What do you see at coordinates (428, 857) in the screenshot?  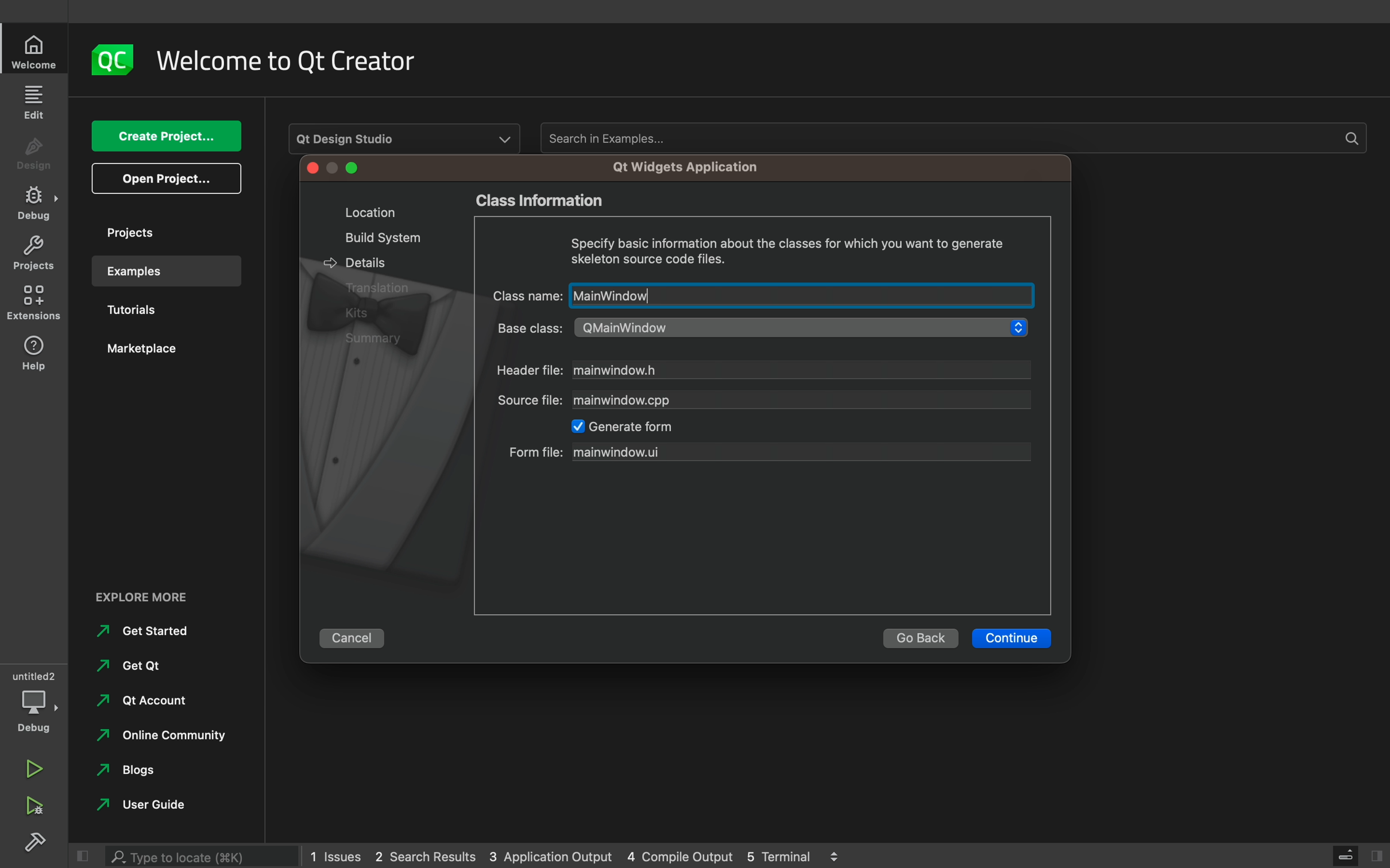 I see `2 search results` at bounding box center [428, 857].